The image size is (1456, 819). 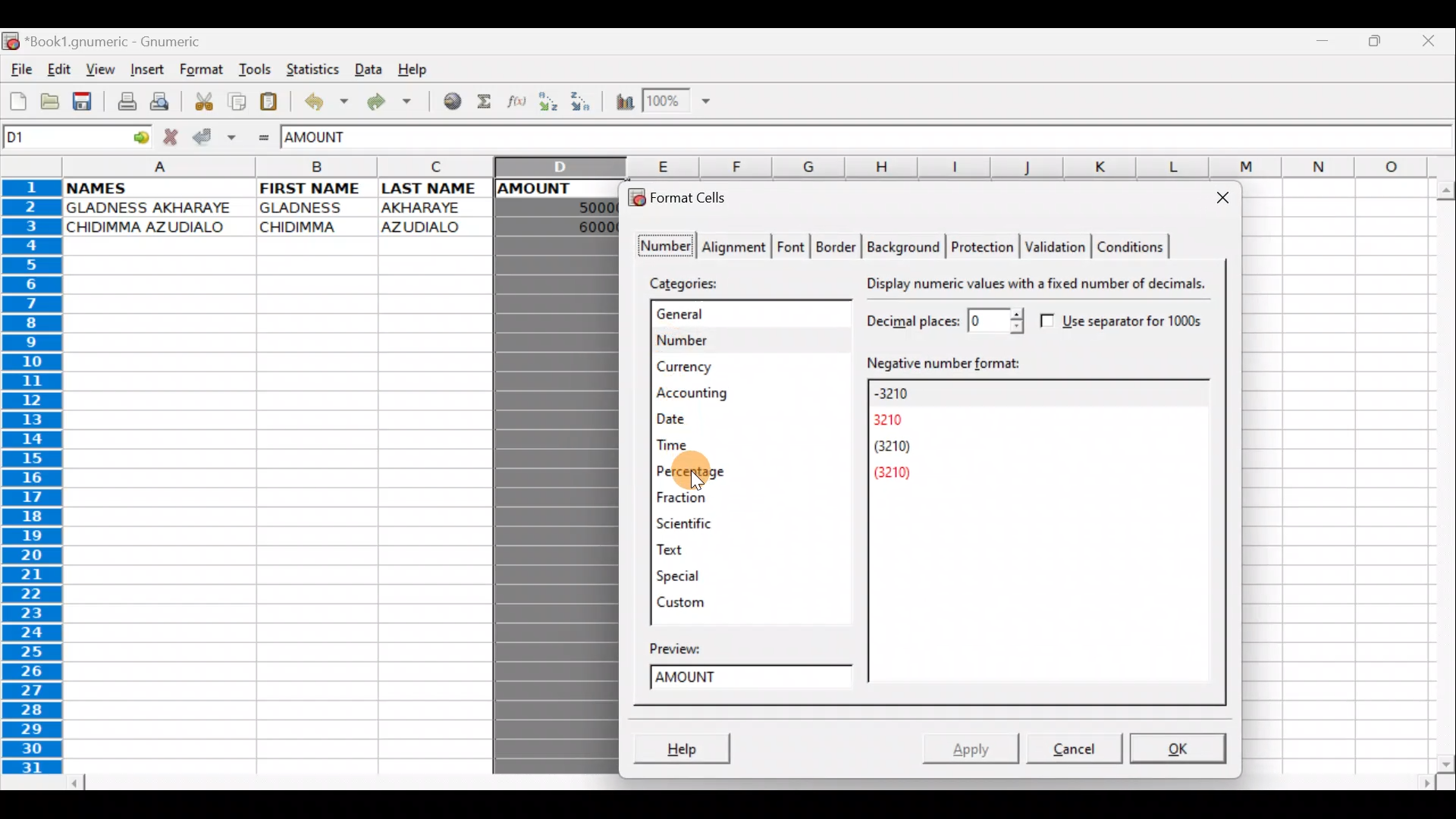 What do you see at coordinates (485, 102) in the screenshot?
I see `Sum in the current cell` at bounding box center [485, 102].